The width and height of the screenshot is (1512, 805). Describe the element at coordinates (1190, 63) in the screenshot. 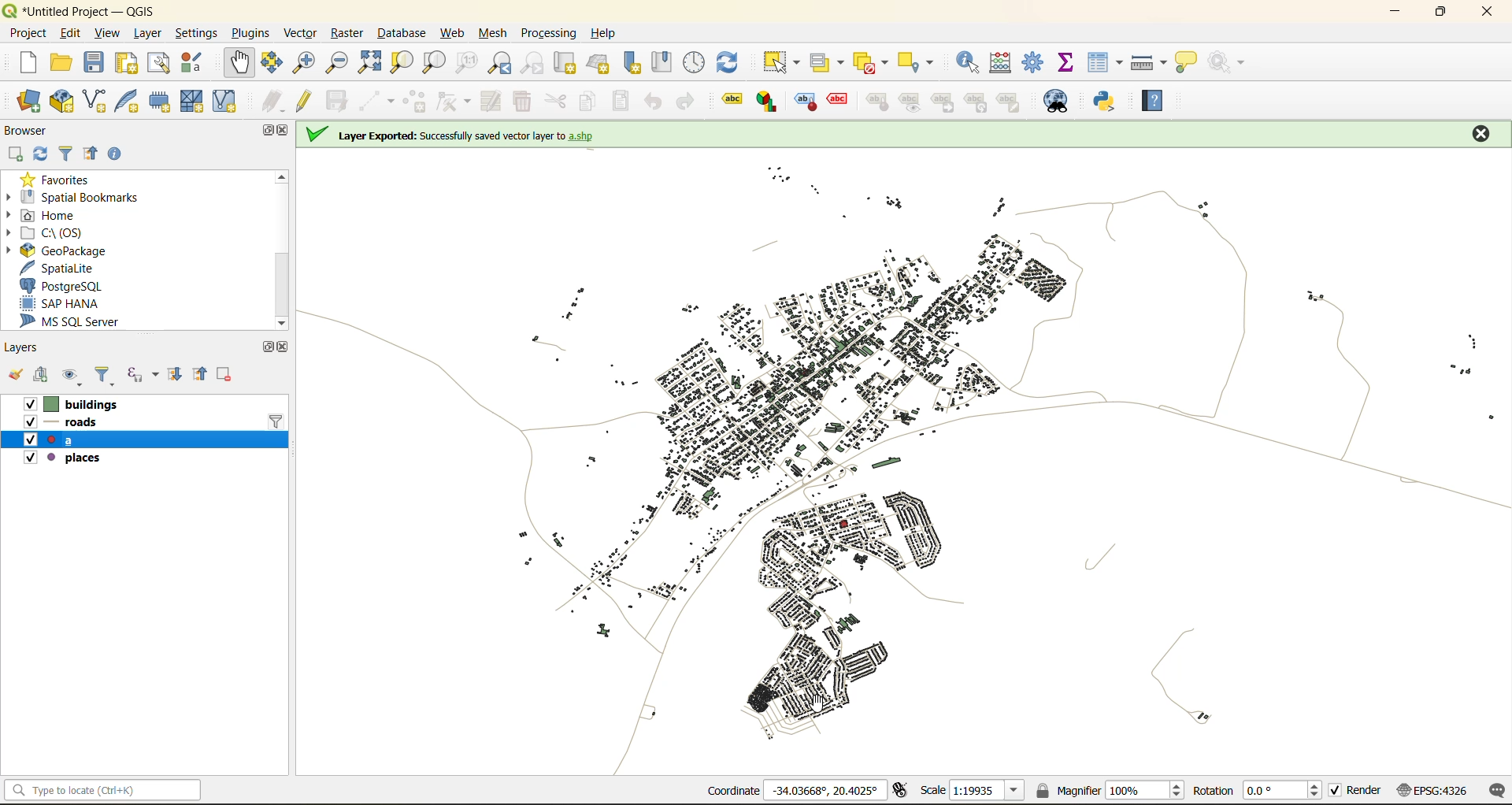

I see `show tips` at that location.